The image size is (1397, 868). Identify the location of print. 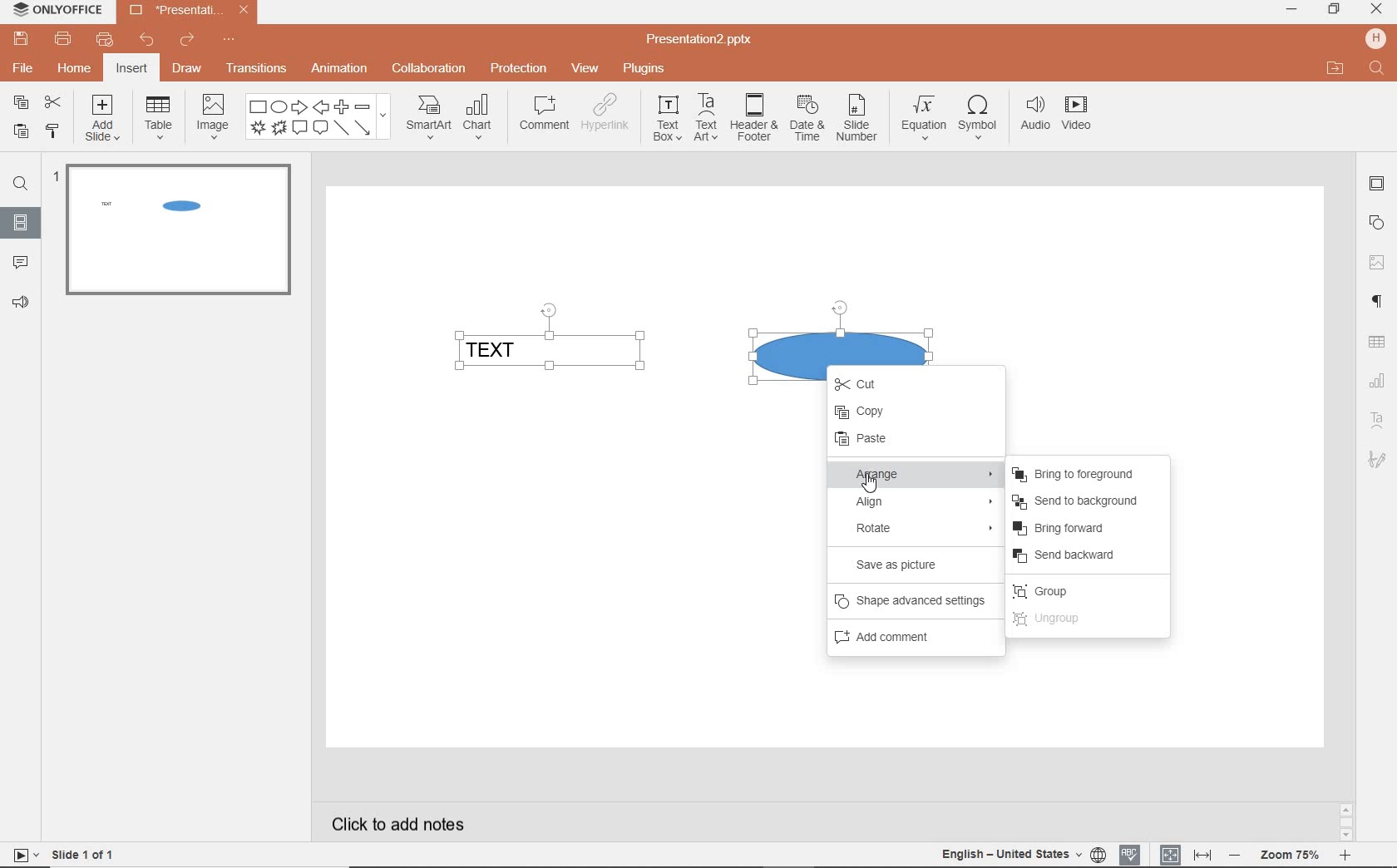
(64, 39).